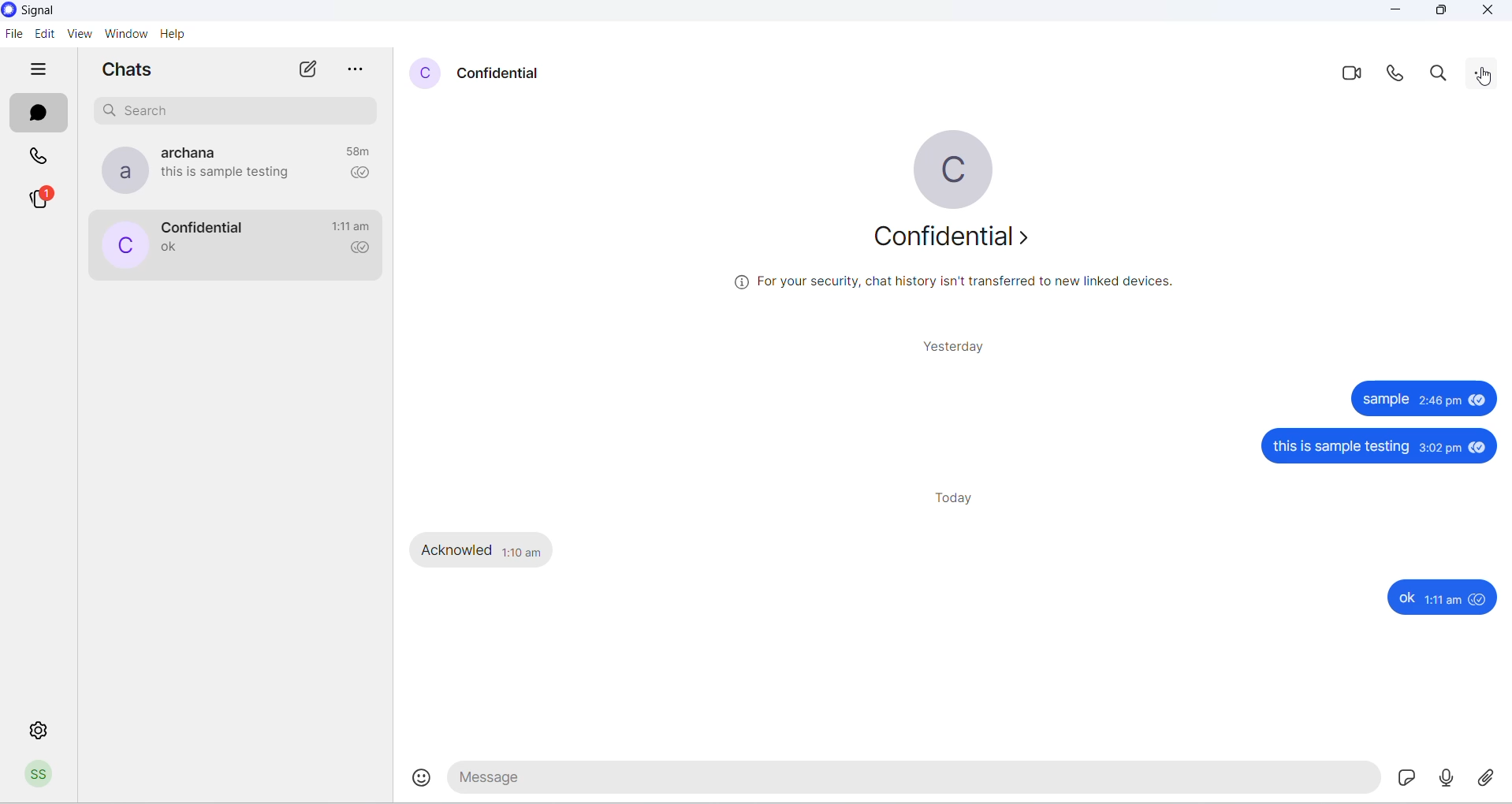 This screenshot has height=804, width=1512. I want to click on this is sample testing, so click(1343, 448).